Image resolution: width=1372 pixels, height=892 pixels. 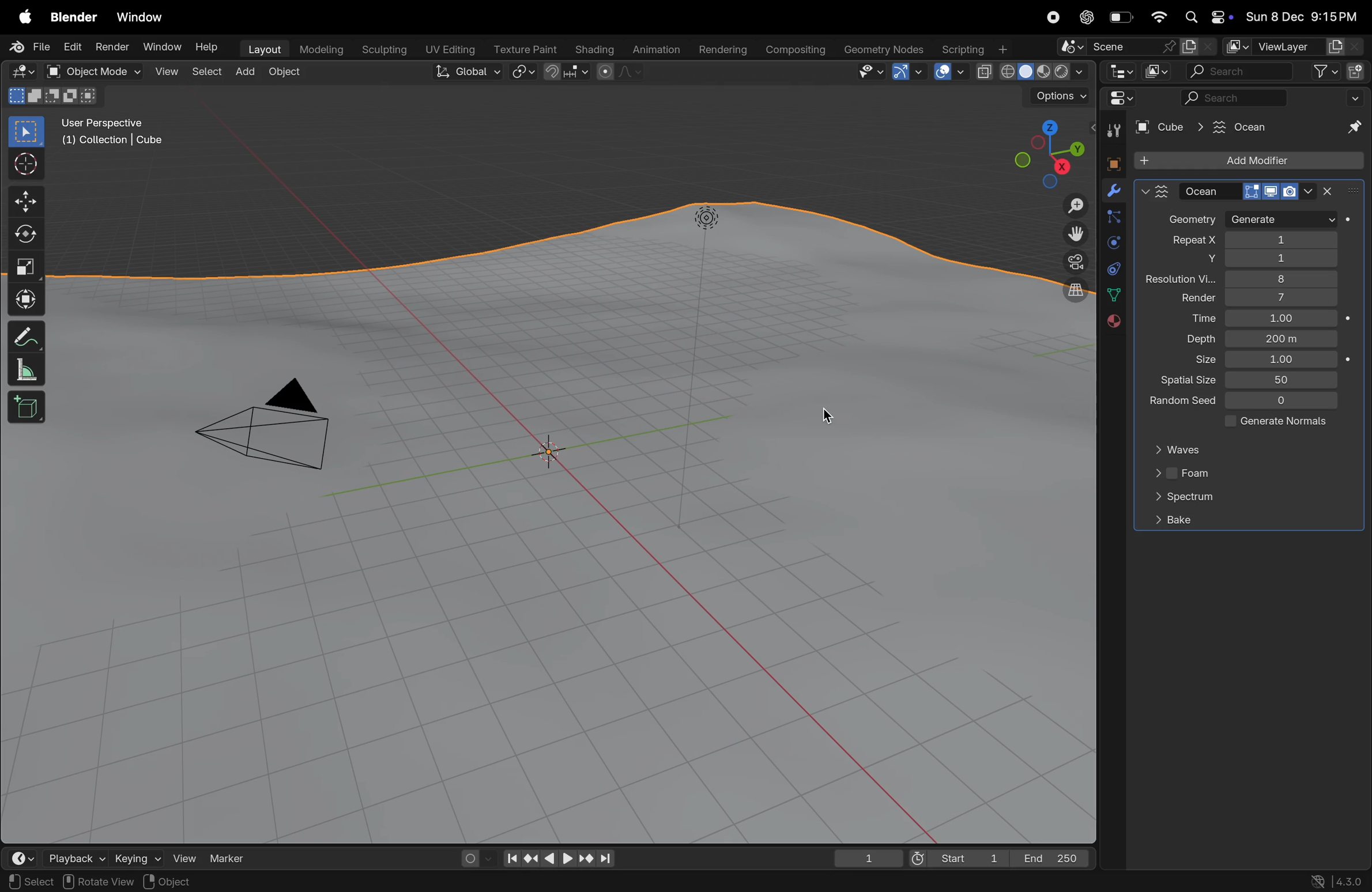 I want to click on selectibality, so click(x=867, y=71).